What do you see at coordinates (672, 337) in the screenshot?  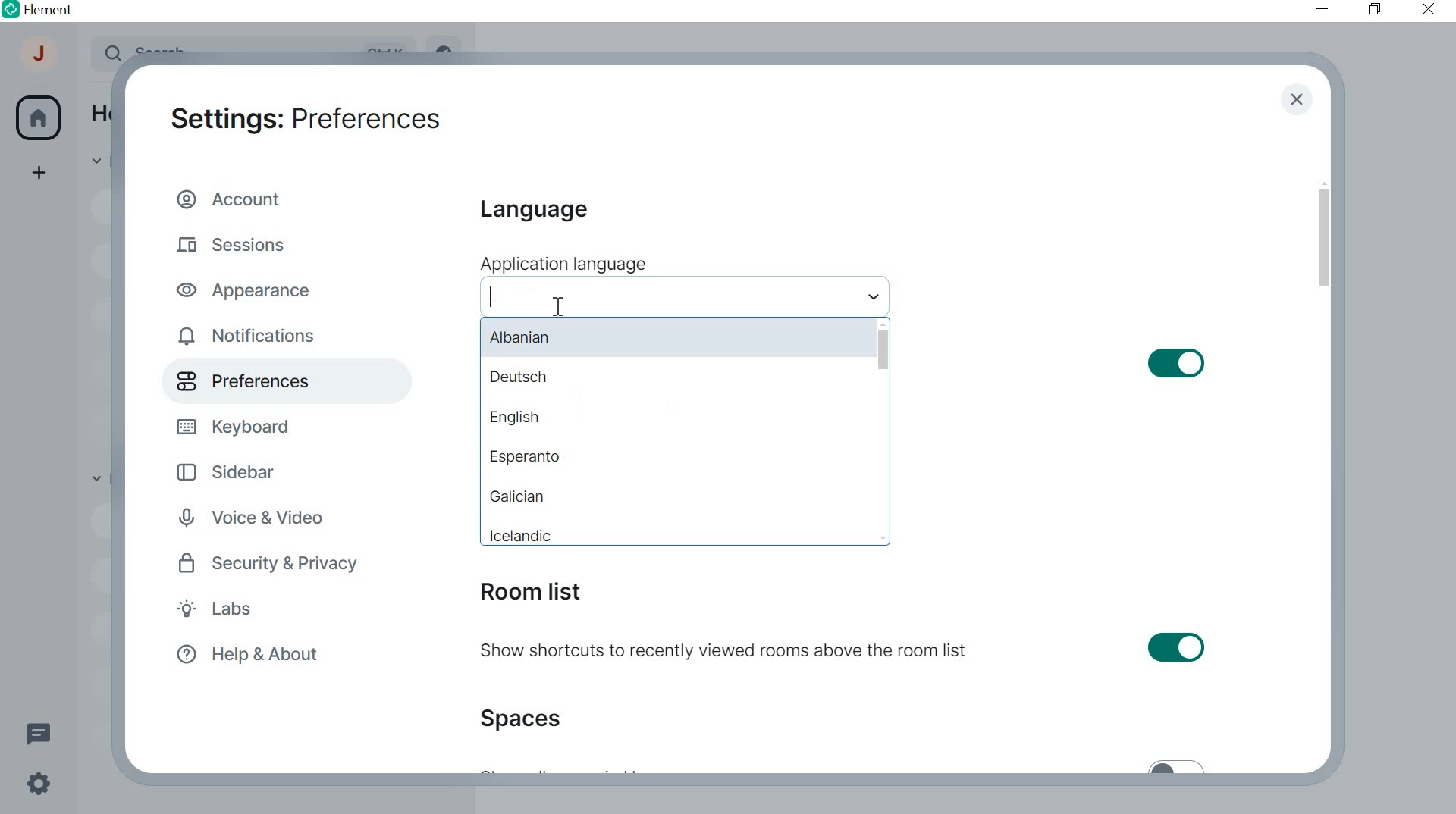 I see `ALBANIA` at bounding box center [672, 337].